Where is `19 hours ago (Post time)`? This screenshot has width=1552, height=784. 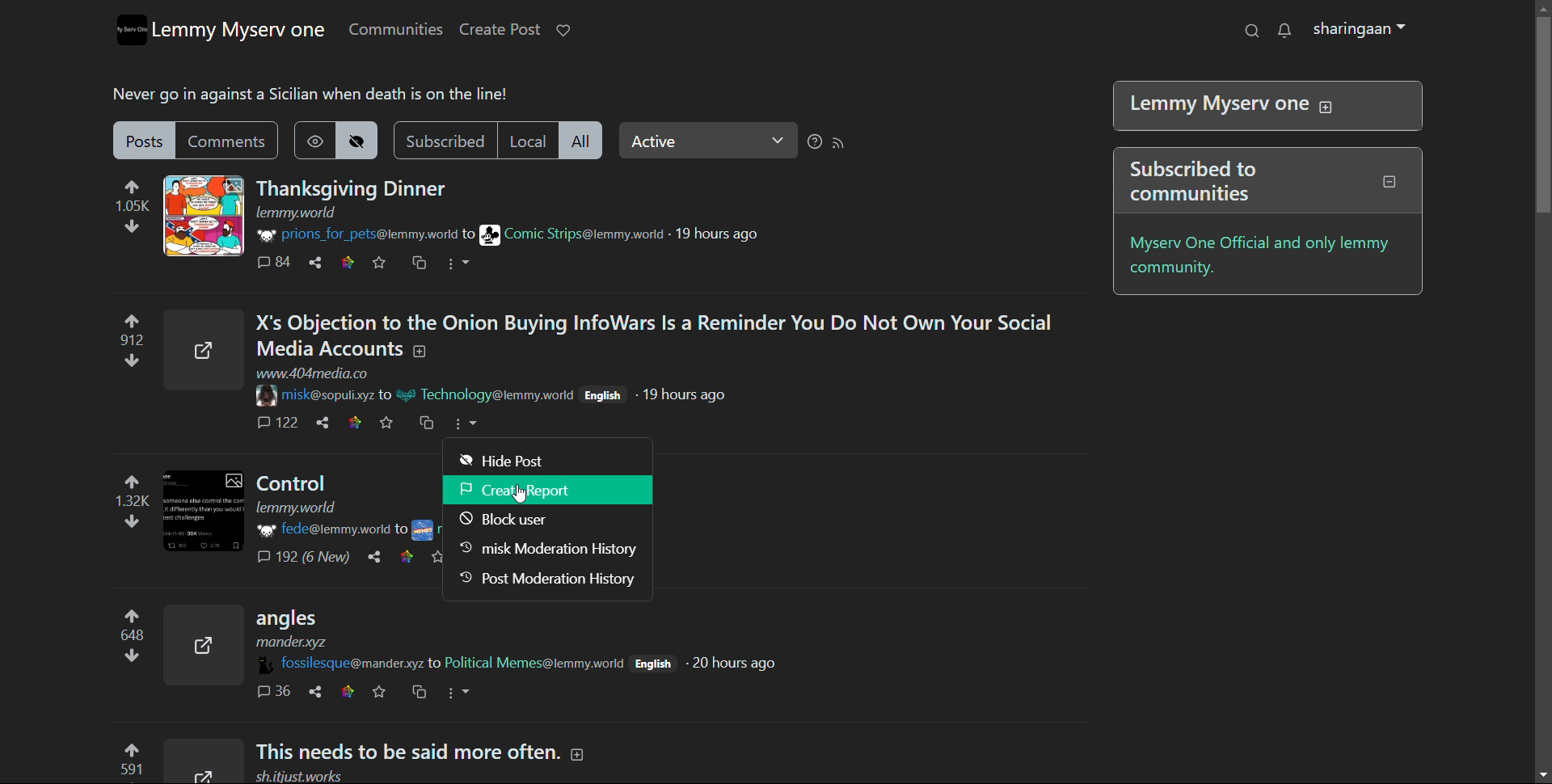 19 hours ago (Post time) is located at coordinates (688, 394).